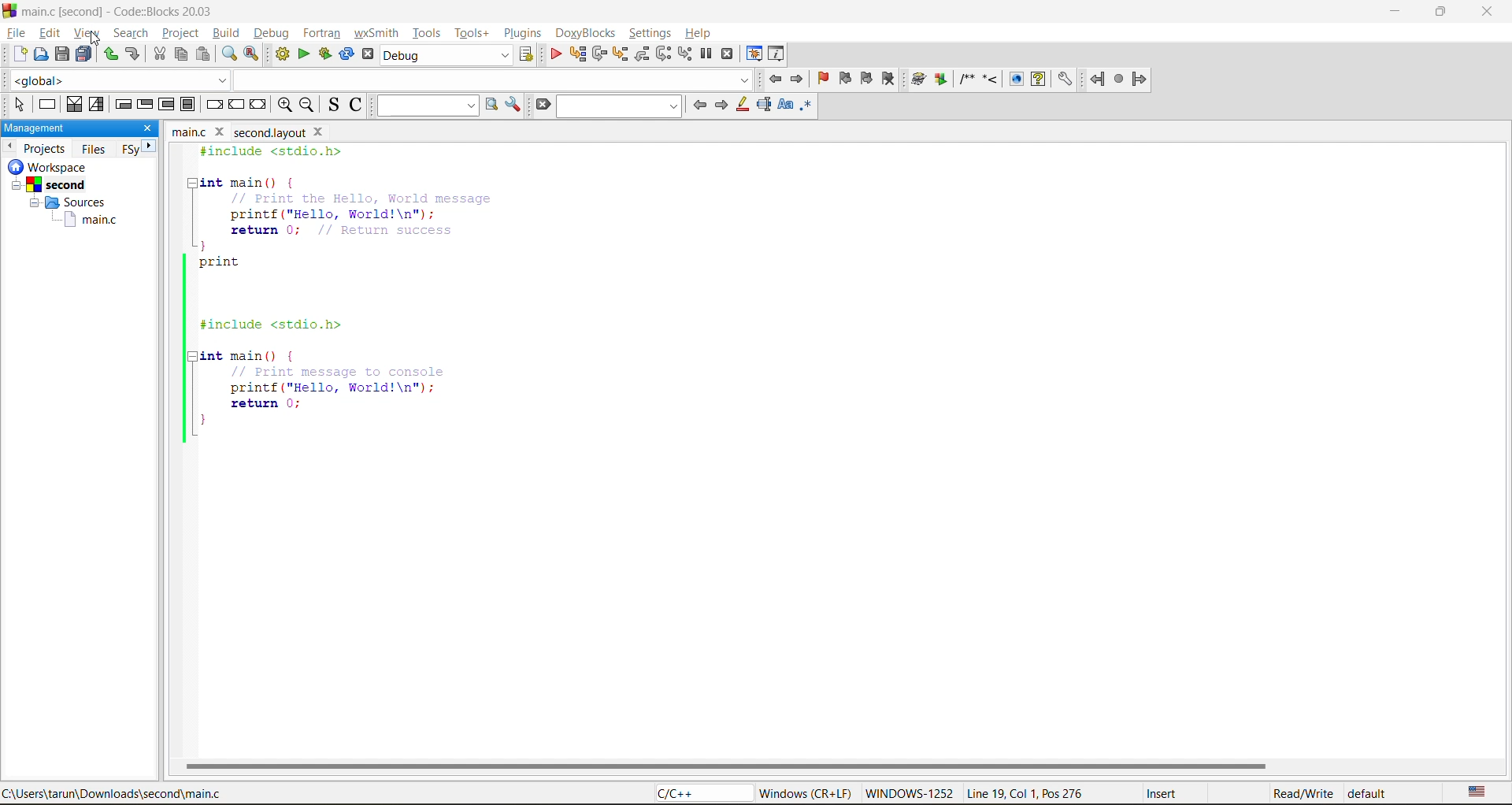 The image size is (1512, 805). What do you see at coordinates (59, 53) in the screenshot?
I see `save` at bounding box center [59, 53].